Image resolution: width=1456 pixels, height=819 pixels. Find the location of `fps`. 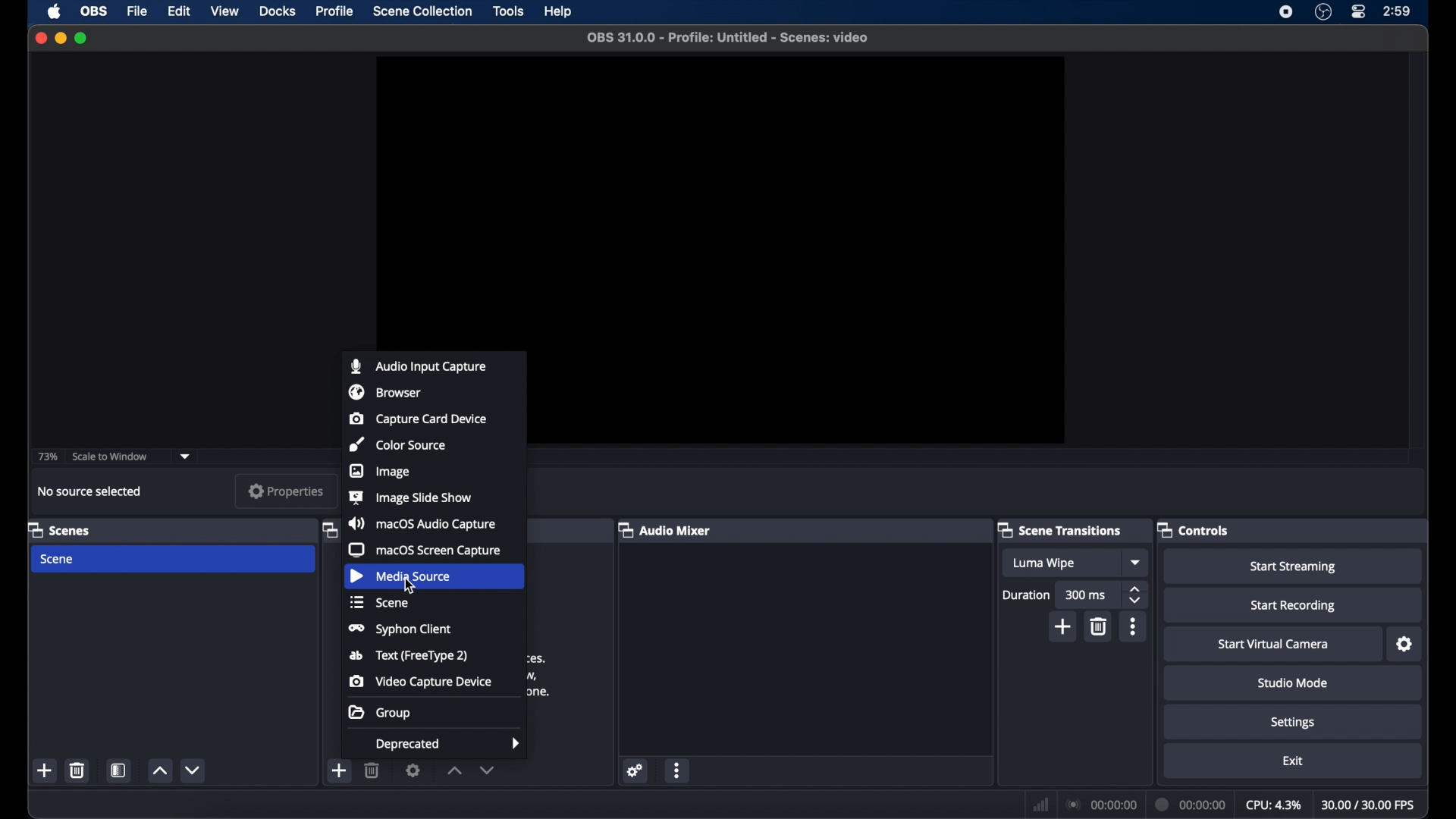

fps is located at coordinates (1369, 805).